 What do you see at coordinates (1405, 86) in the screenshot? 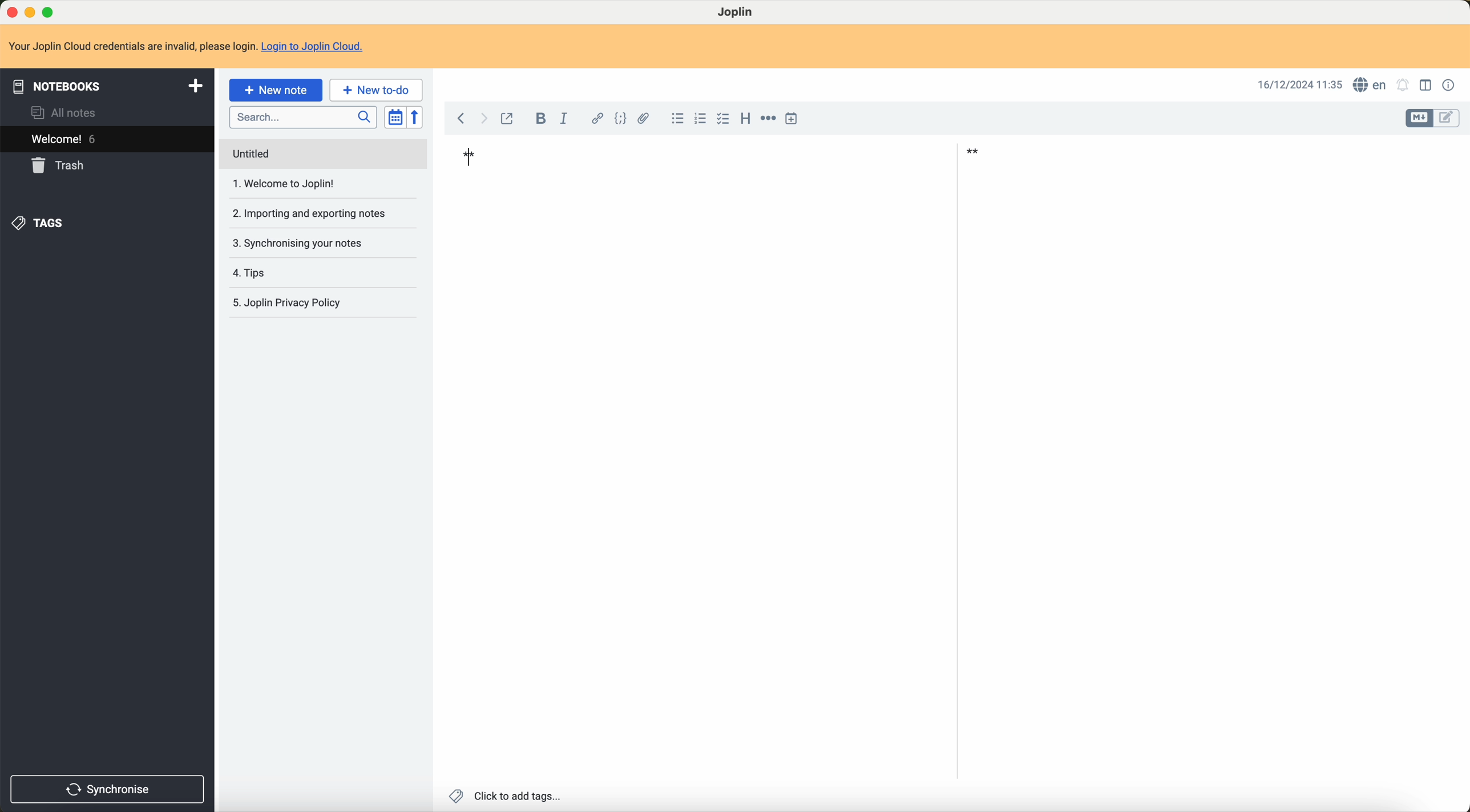
I see `set alarm` at bounding box center [1405, 86].